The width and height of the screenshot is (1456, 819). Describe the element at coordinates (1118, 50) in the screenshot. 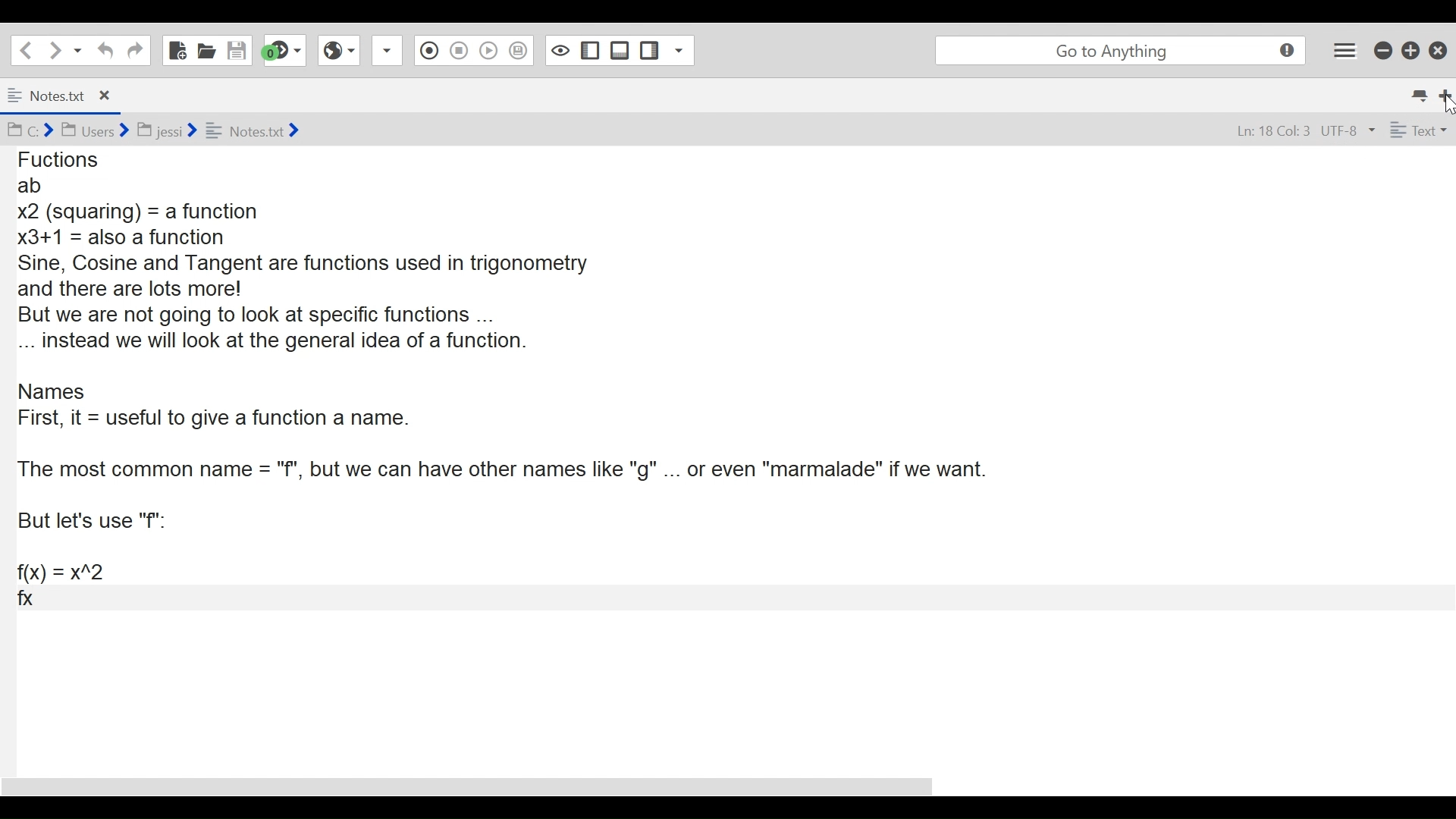

I see `go to anything` at that location.